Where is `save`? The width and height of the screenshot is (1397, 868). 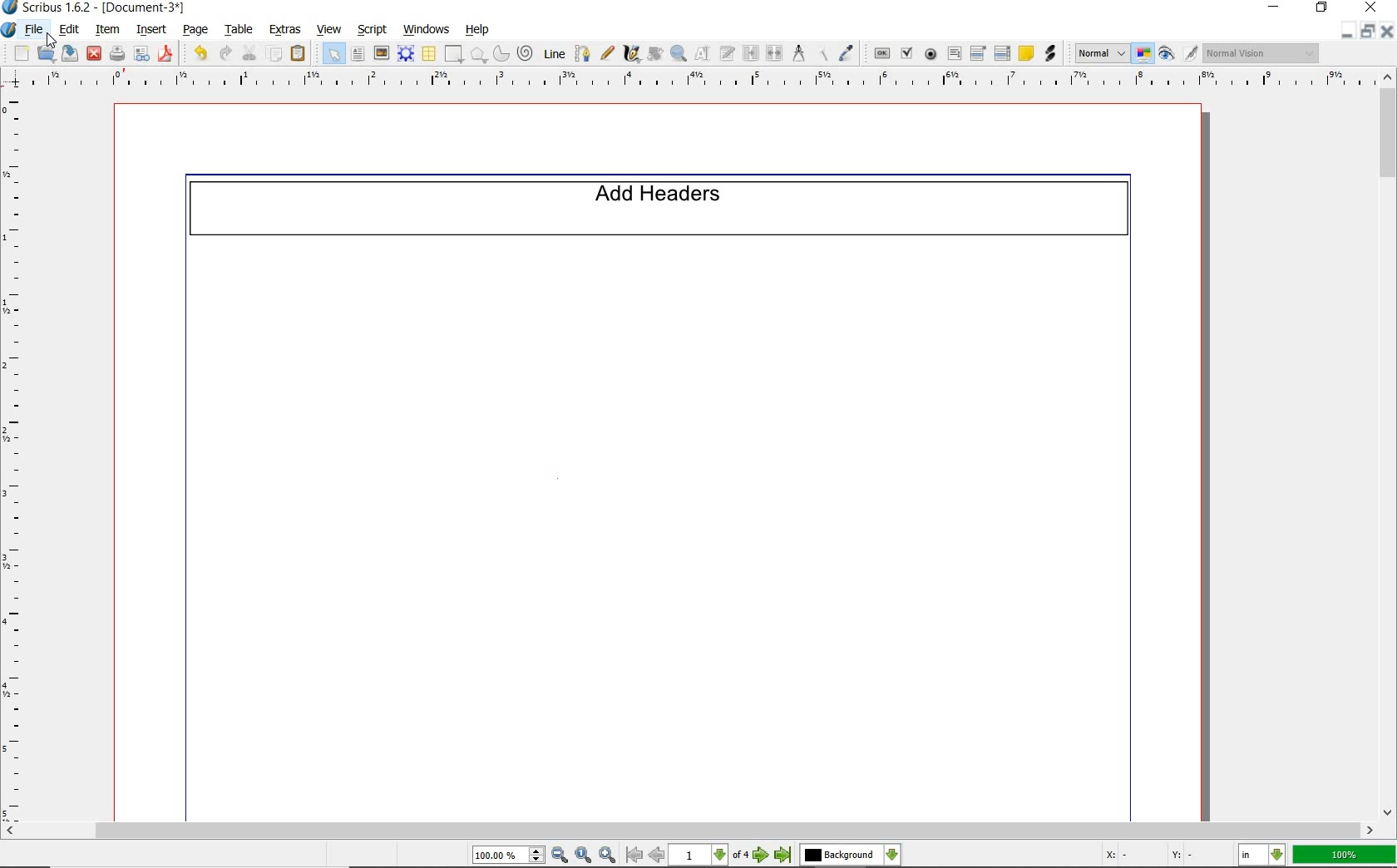
save is located at coordinates (68, 52).